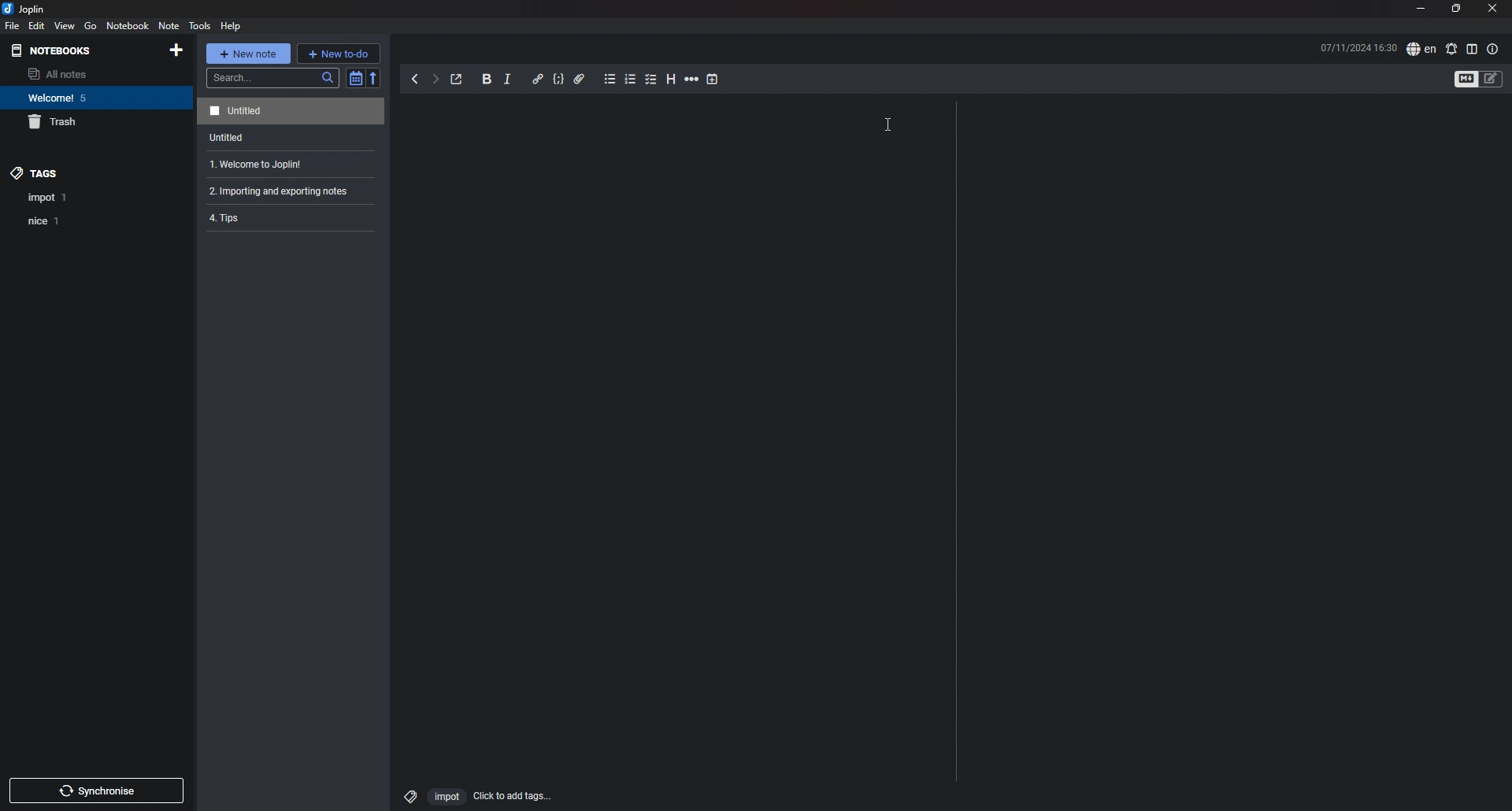 The image size is (1512, 811). What do you see at coordinates (1451, 49) in the screenshot?
I see `spell check` at bounding box center [1451, 49].